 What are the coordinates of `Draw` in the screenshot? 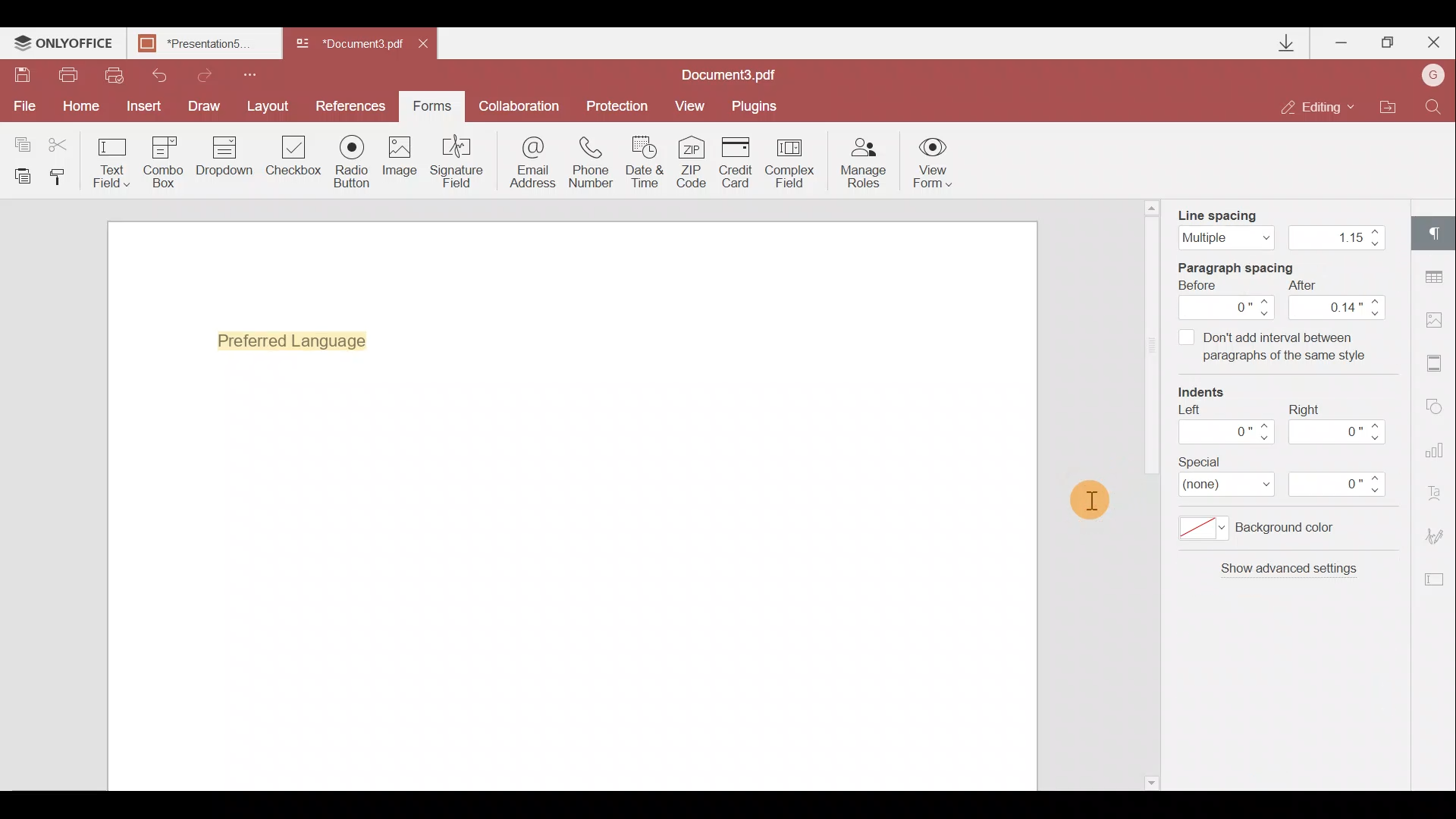 It's located at (205, 105).